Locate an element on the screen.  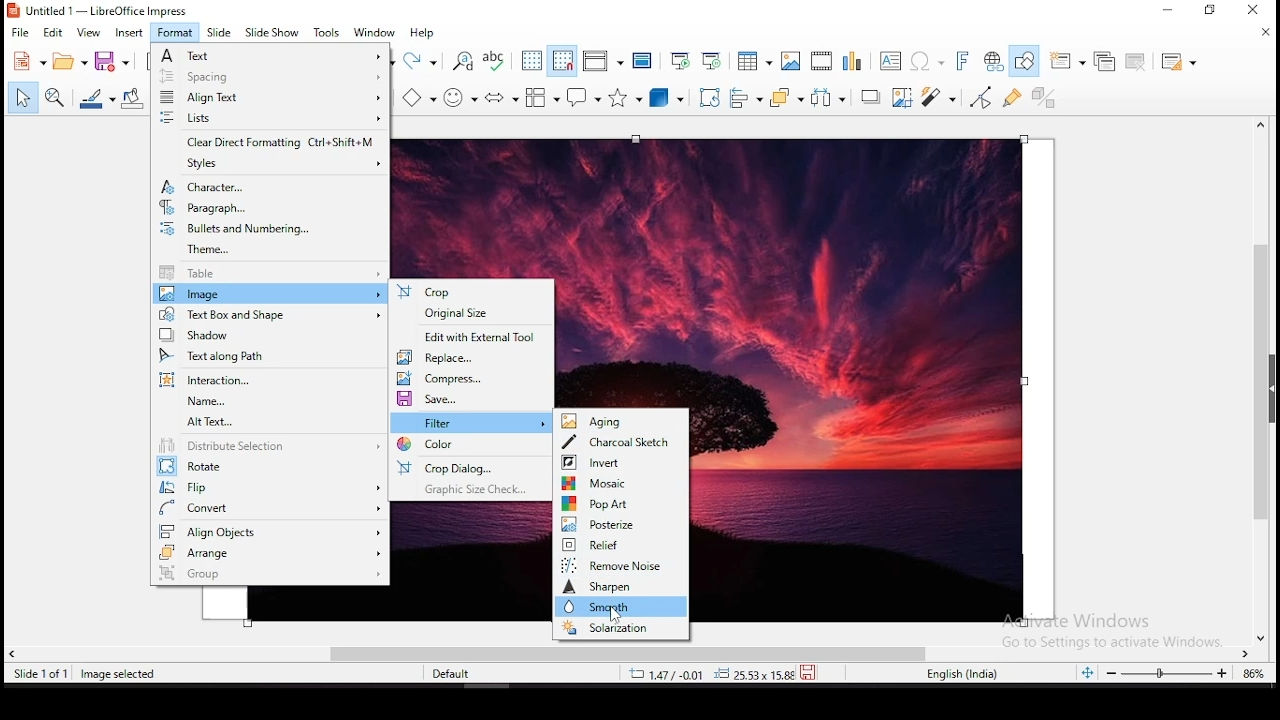
solarization is located at coordinates (621, 629).